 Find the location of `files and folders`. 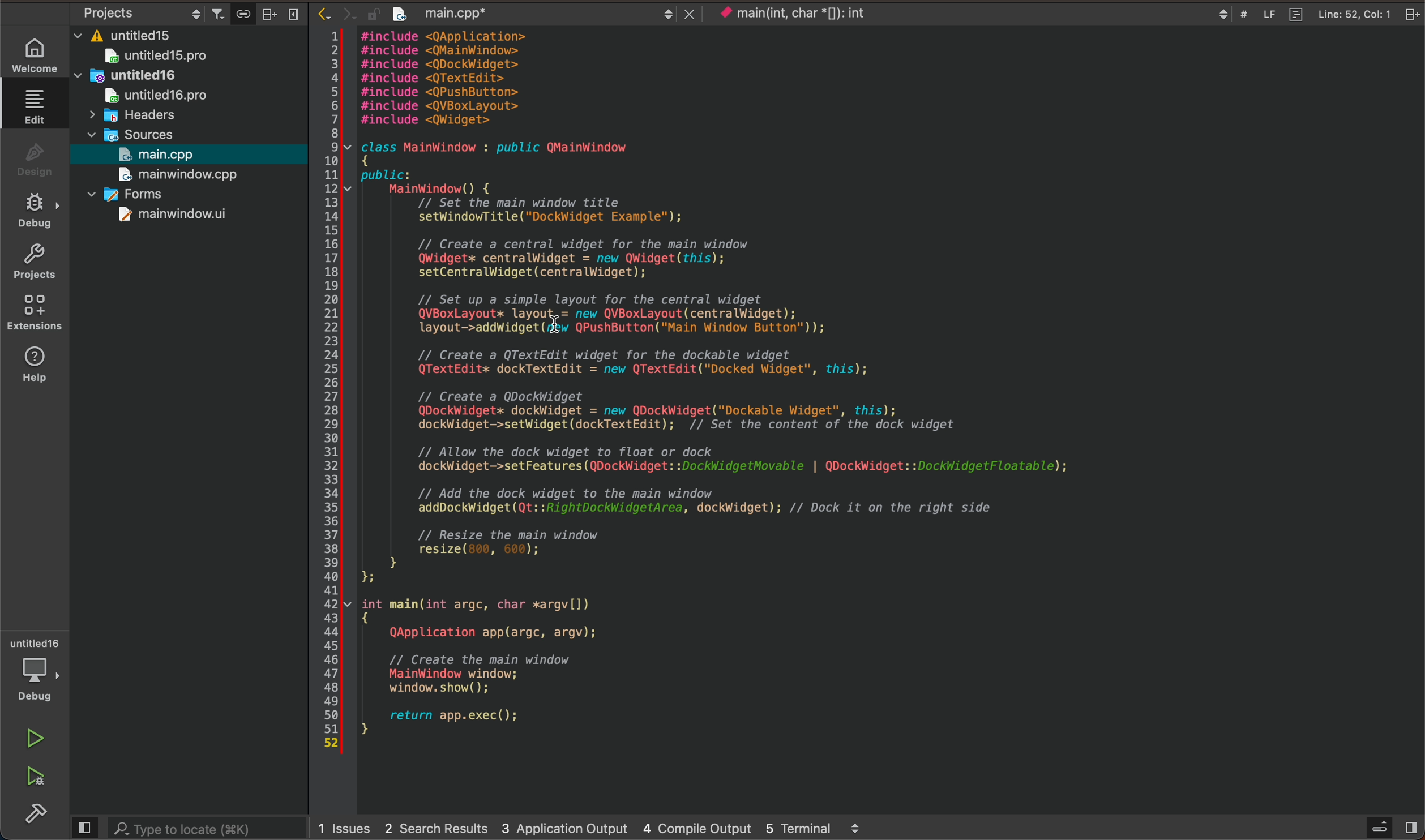

files and folders is located at coordinates (193, 36).